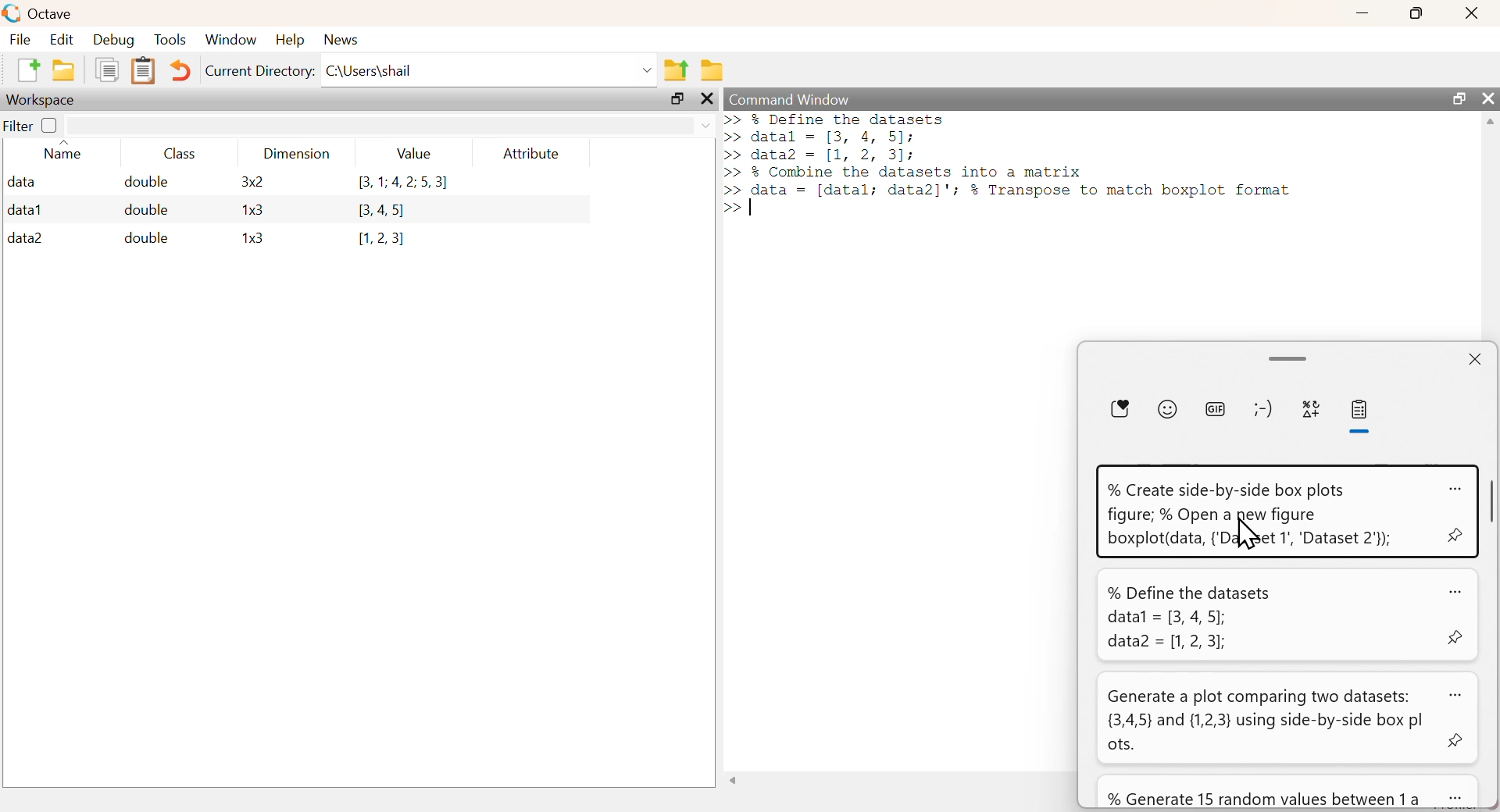  What do you see at coordinates (61, 40) in the screenshot?
I see `Edit` at bounding box center [61, 40].